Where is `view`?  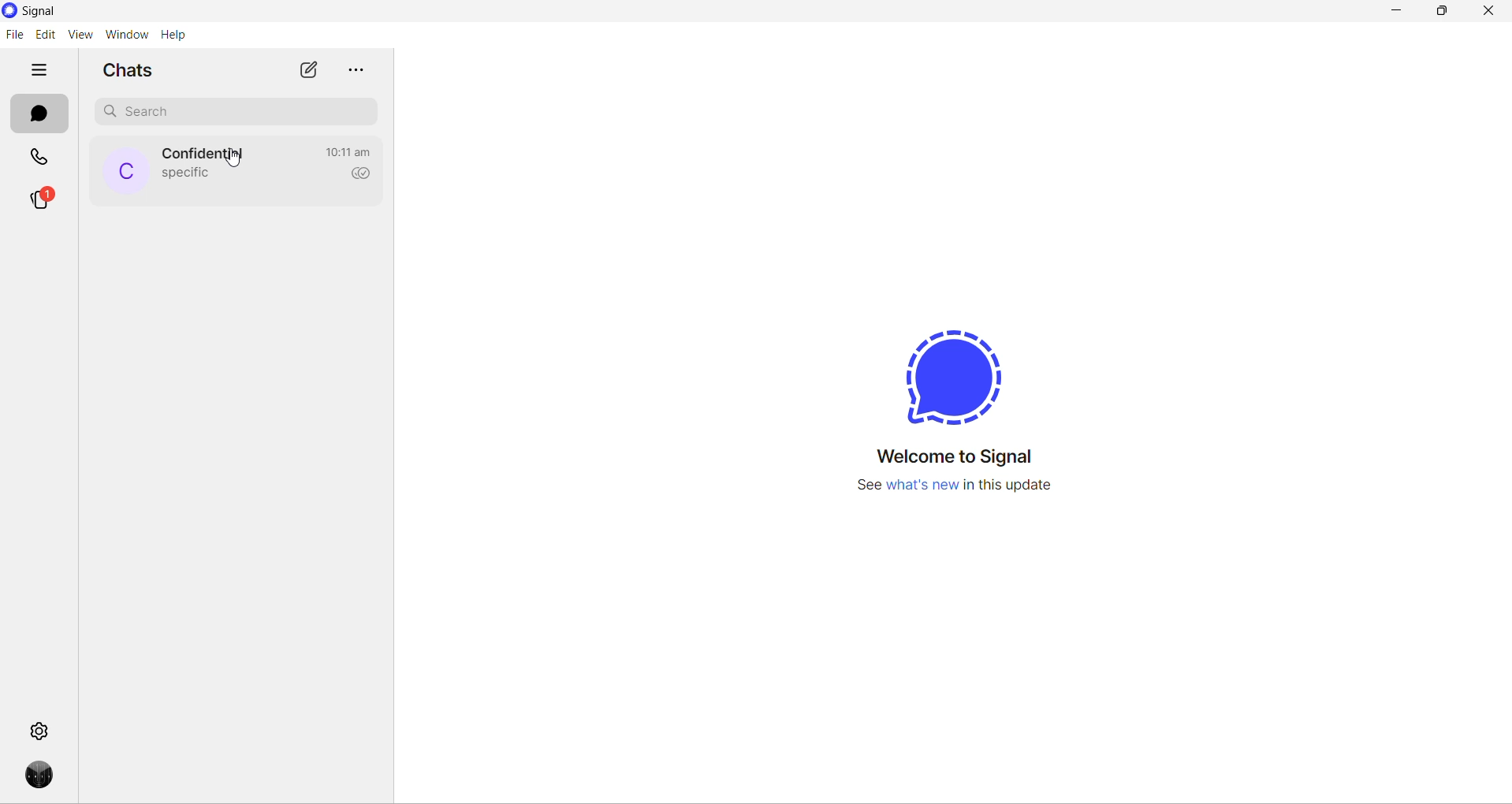 view is located at coordinates (78, 36).